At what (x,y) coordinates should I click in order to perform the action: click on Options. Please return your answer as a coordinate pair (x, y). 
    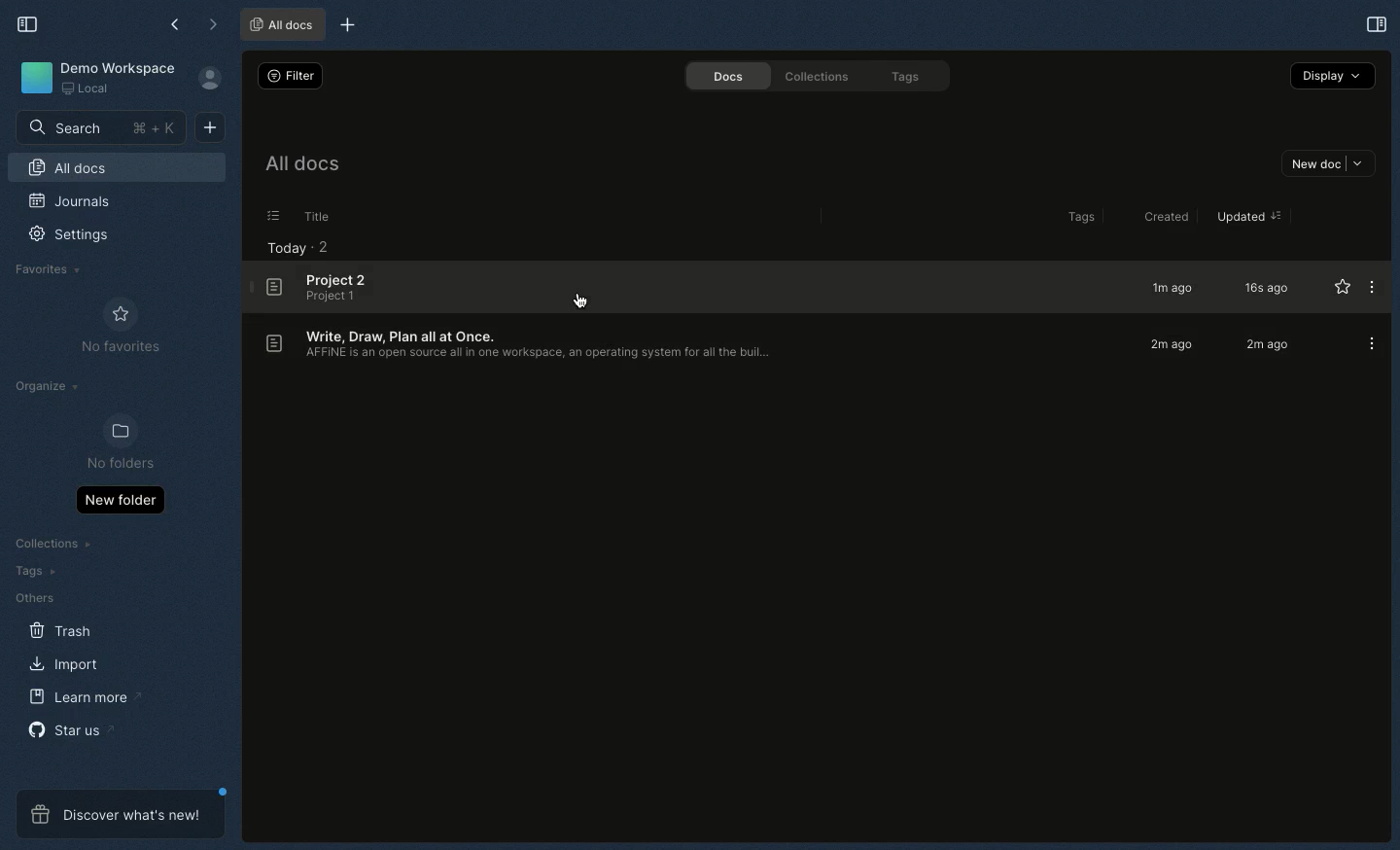
    Looking at the image, I should click on (1373, 285).